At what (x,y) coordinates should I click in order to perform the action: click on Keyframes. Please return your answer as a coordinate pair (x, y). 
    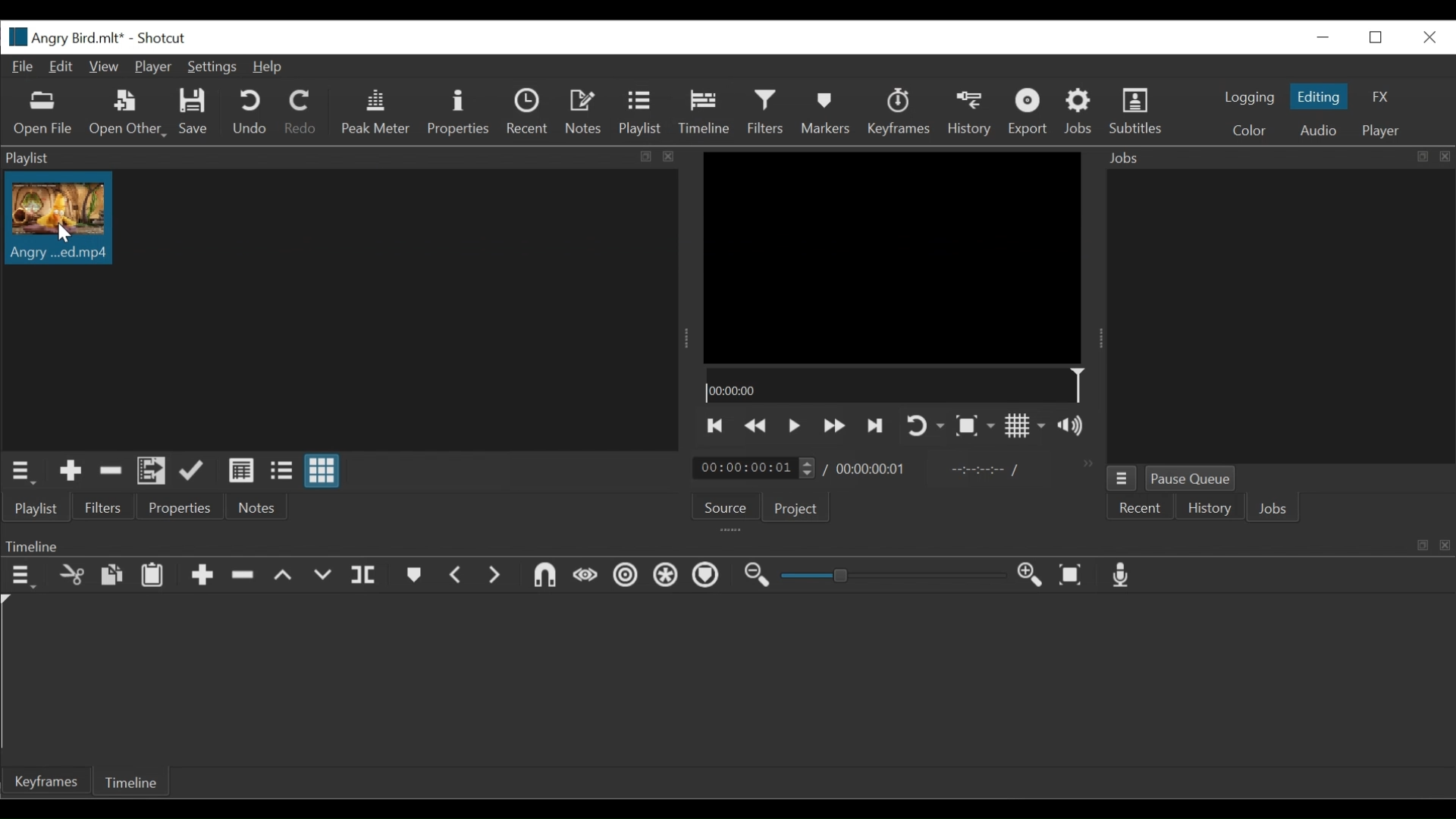
    Looking at the image, I should click on (899, 113).